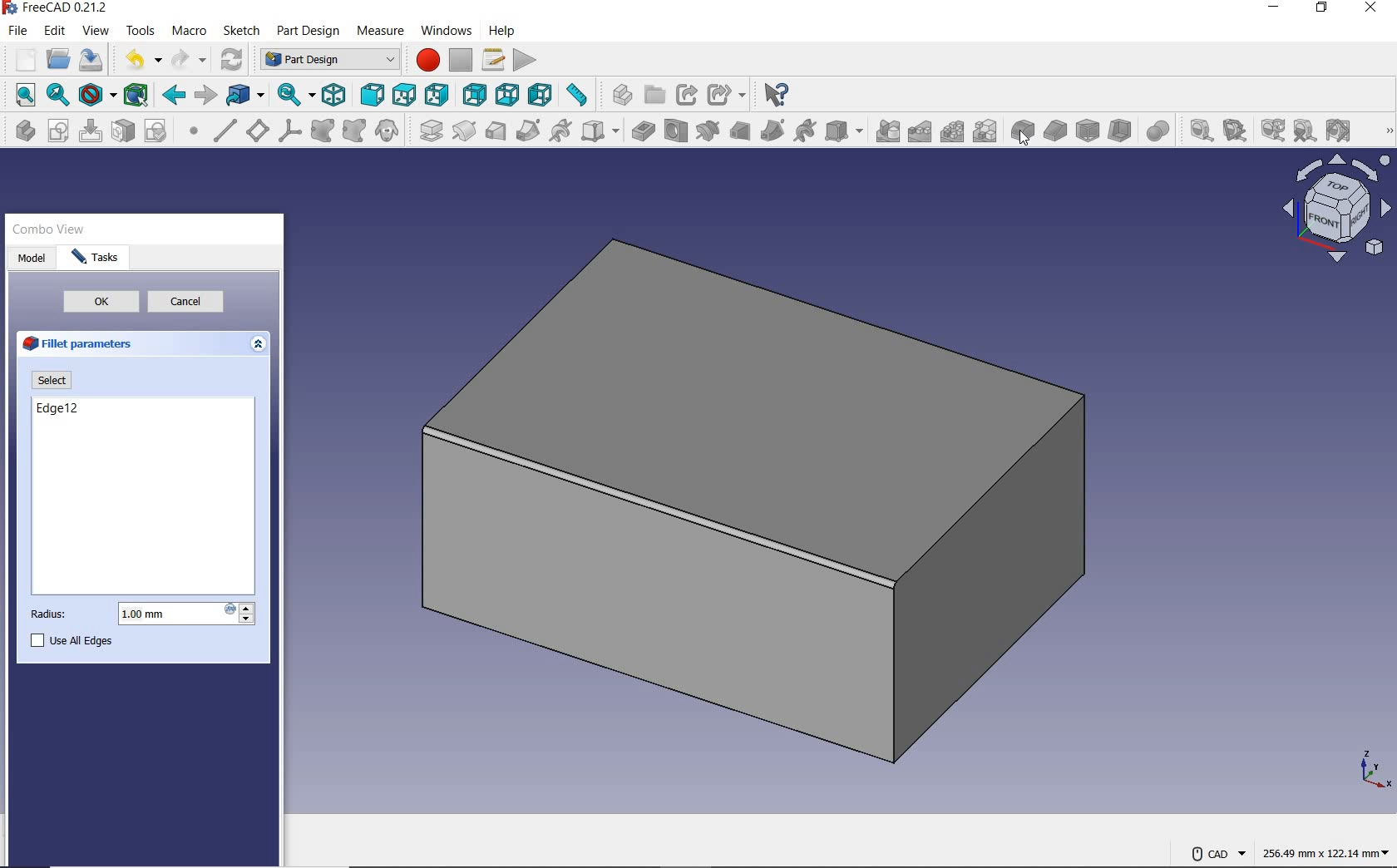  I want to click on fit selection, so click(57, 95).